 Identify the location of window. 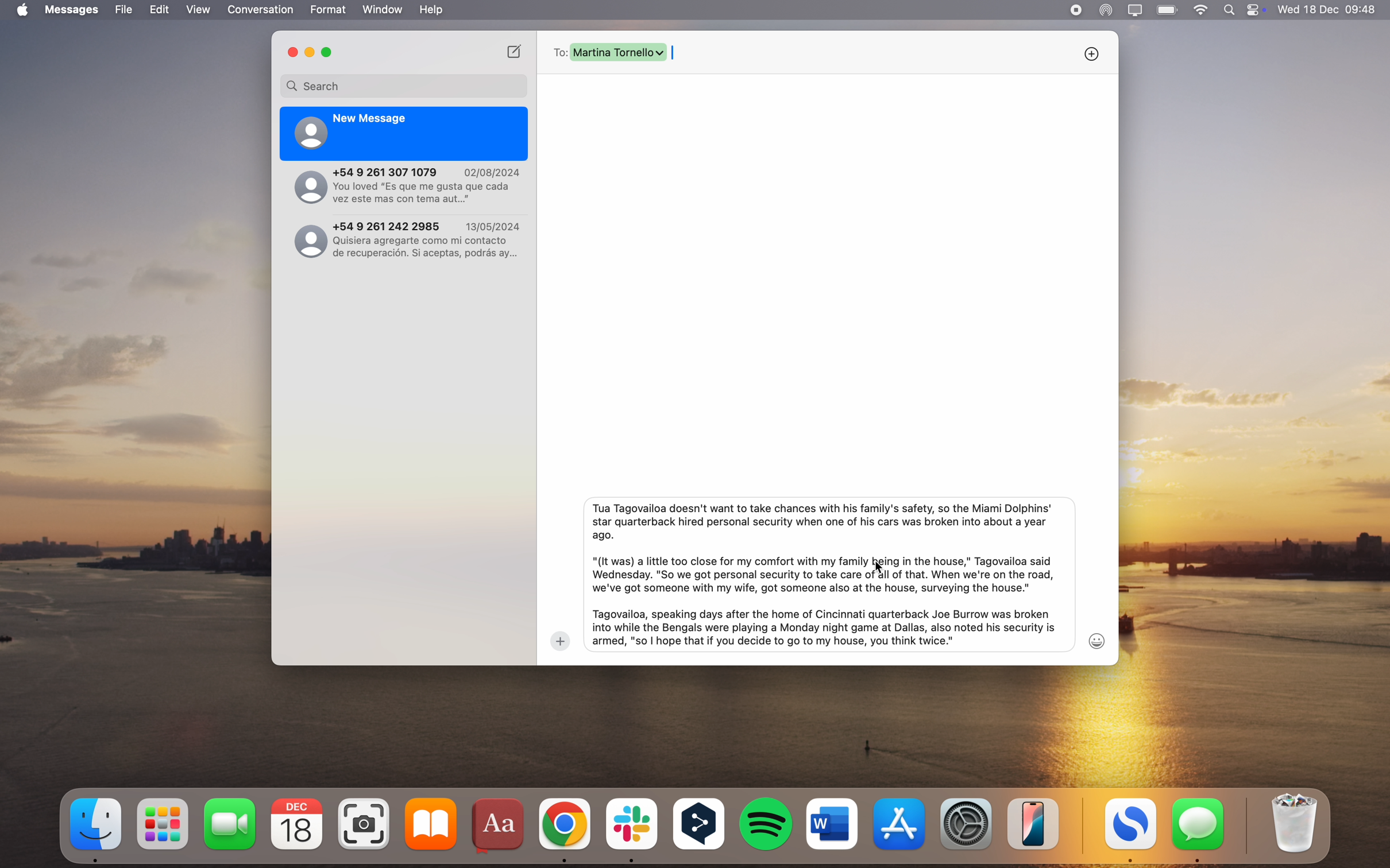
(383, 10).